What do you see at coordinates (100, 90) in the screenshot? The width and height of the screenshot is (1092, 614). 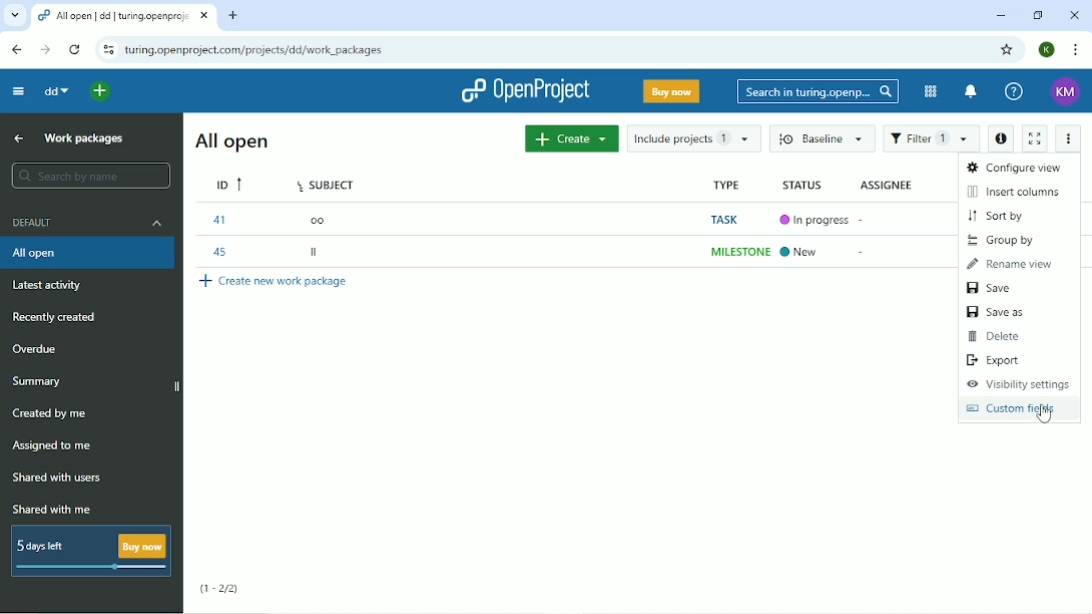 I see `open quick add menu` at bounding box center [100, 90].